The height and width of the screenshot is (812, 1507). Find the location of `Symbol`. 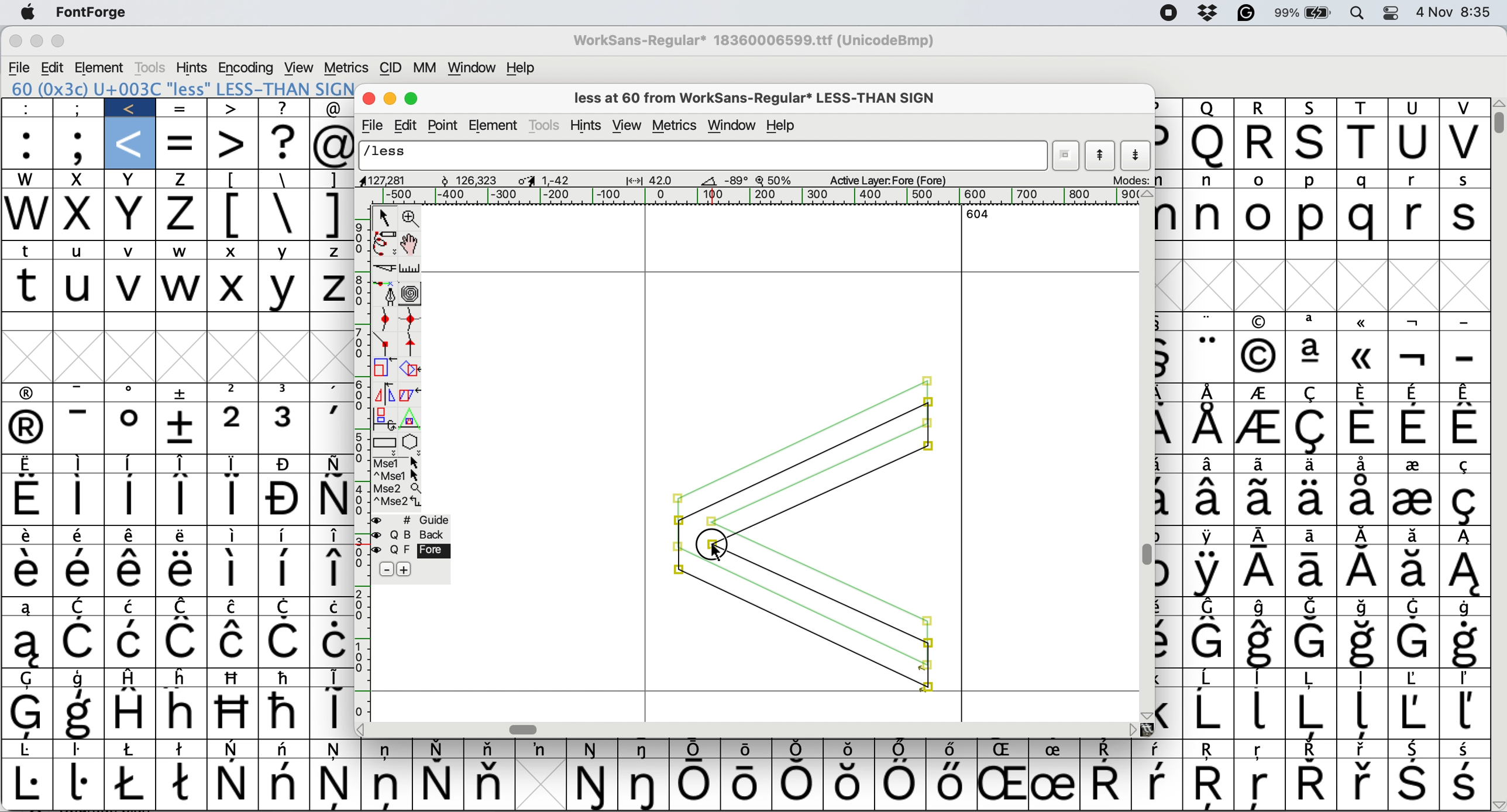

Symbol is located at coordinates (1169, 643).